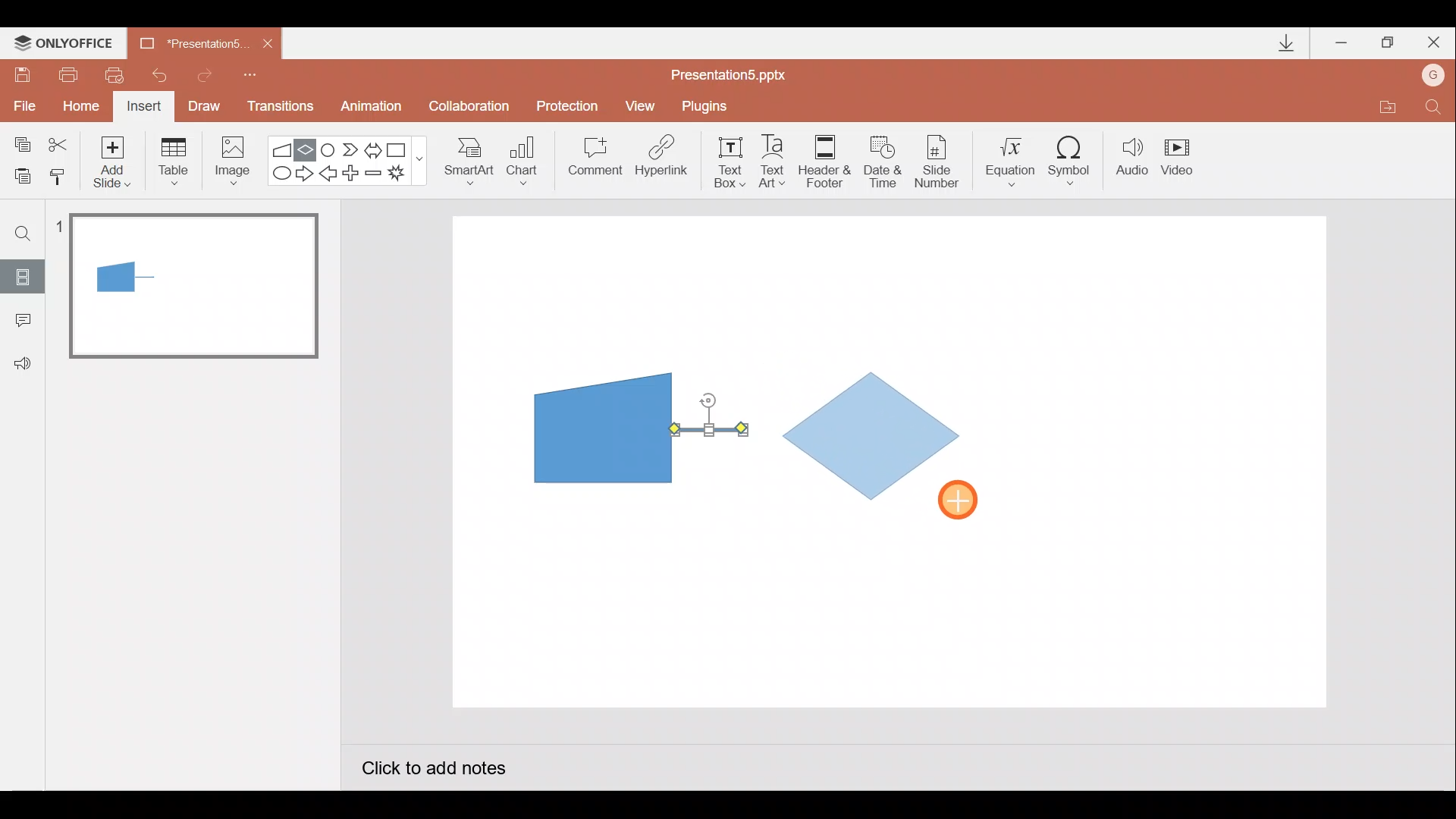 This screenshot has height=819, width=1456. I want to click on Account name, so click(1434, 77).